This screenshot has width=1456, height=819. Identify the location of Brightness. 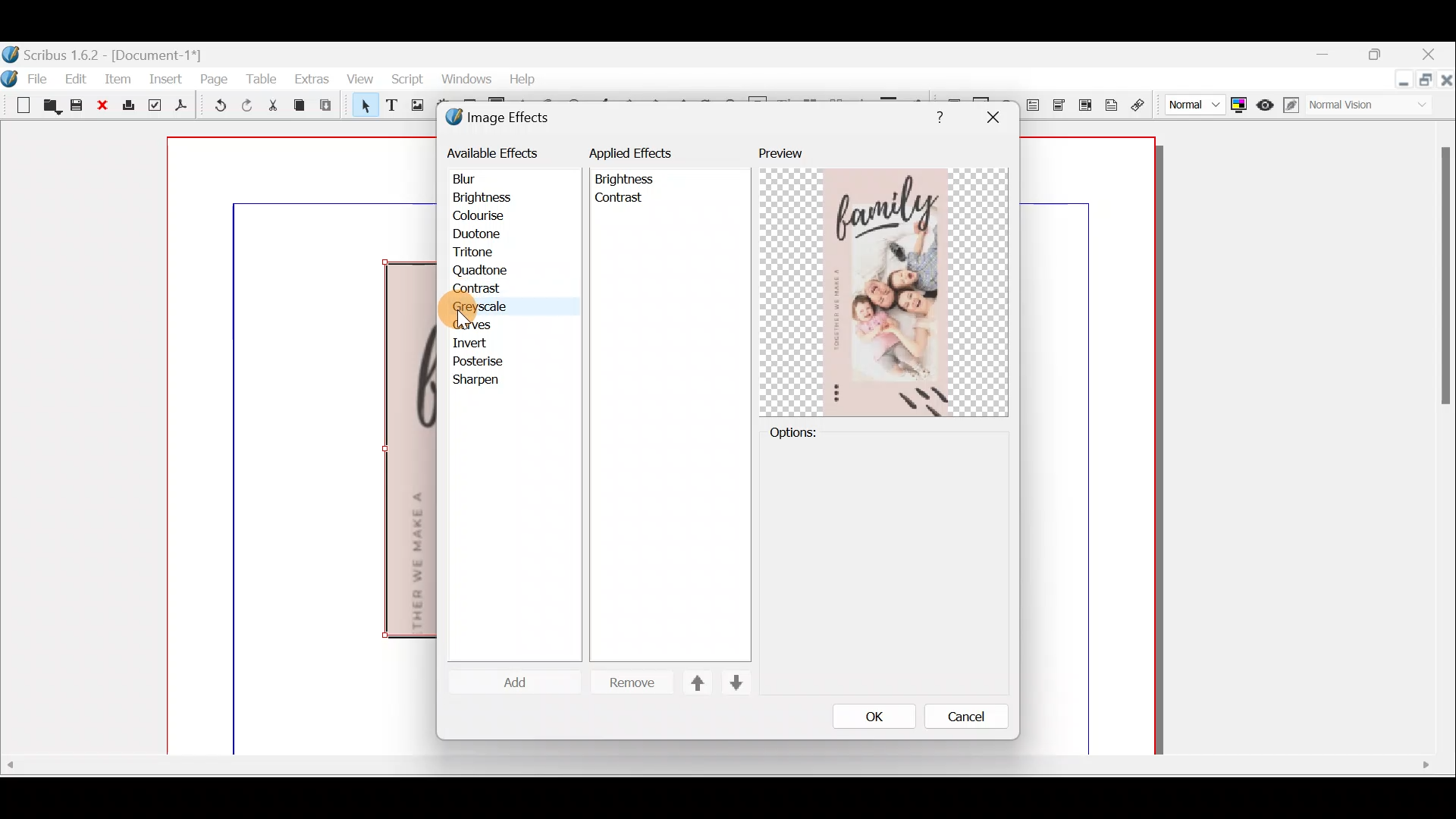
(626, 178).